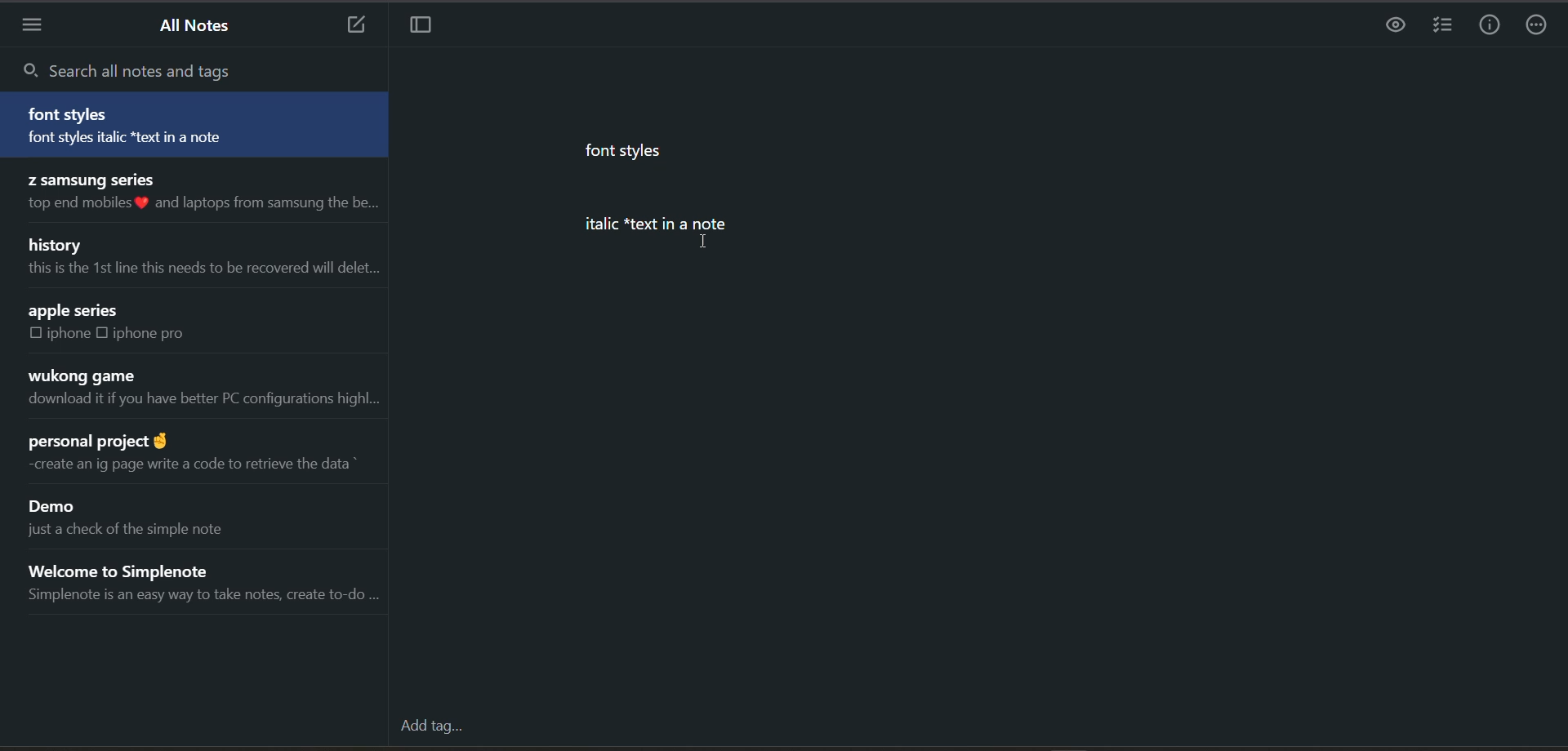 This screenshot has width=1568, height=751. What do you see at coordinates (1397, 24) in the screenshot?
I see `preview` at bounding box center [1397, 24].